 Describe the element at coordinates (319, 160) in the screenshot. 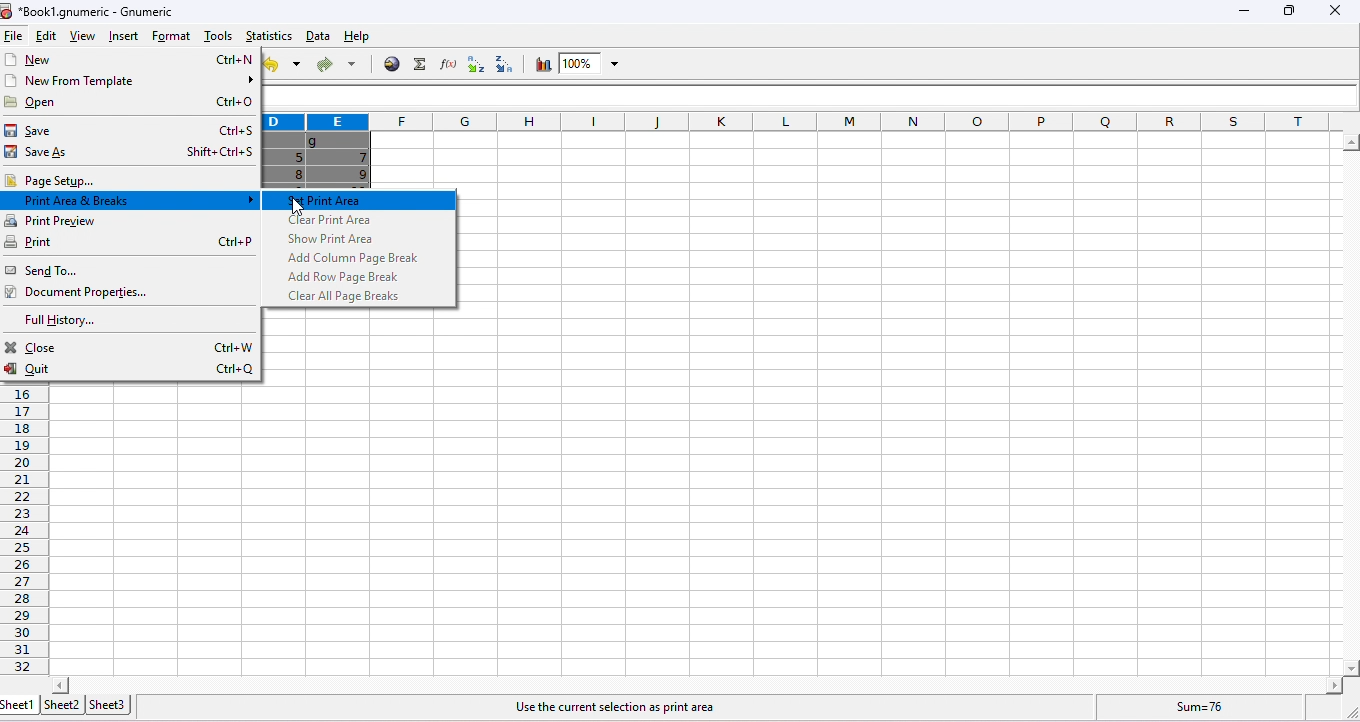

I see `dragged` at that location.